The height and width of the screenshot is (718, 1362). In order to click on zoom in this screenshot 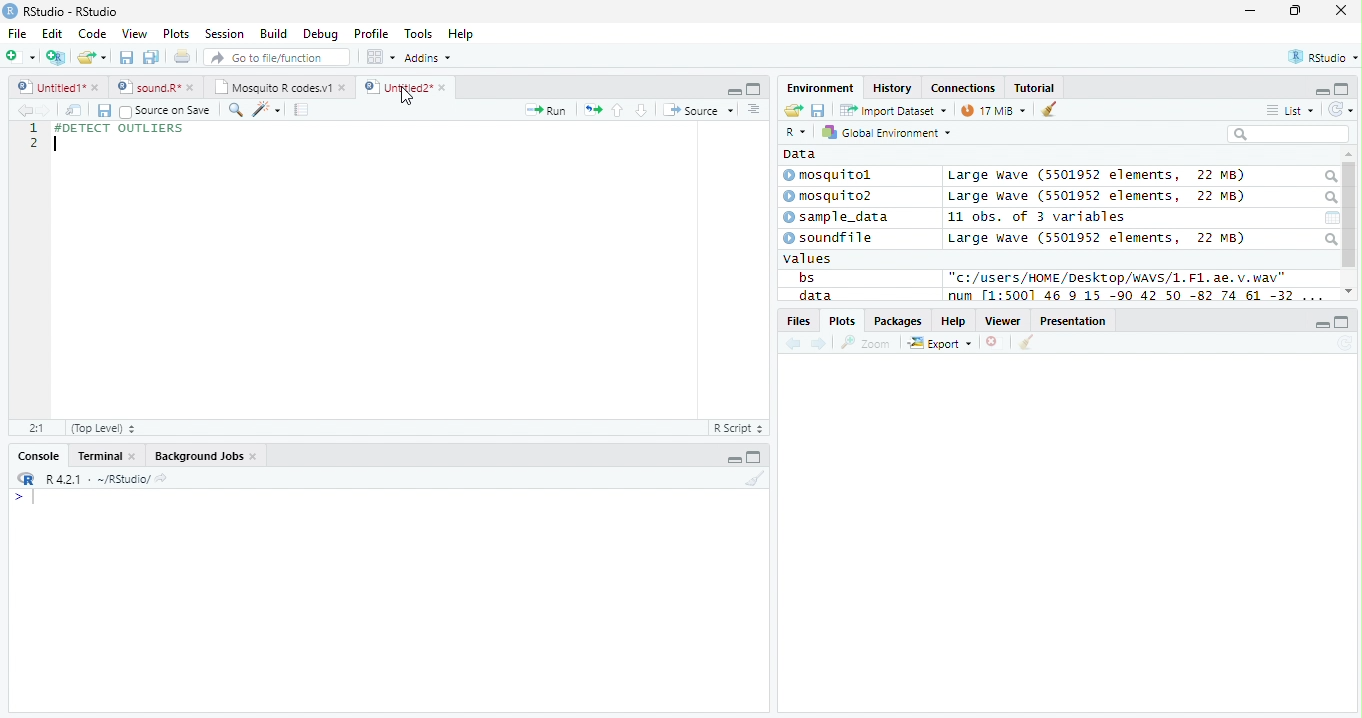, I will do `click(866, 342)`.